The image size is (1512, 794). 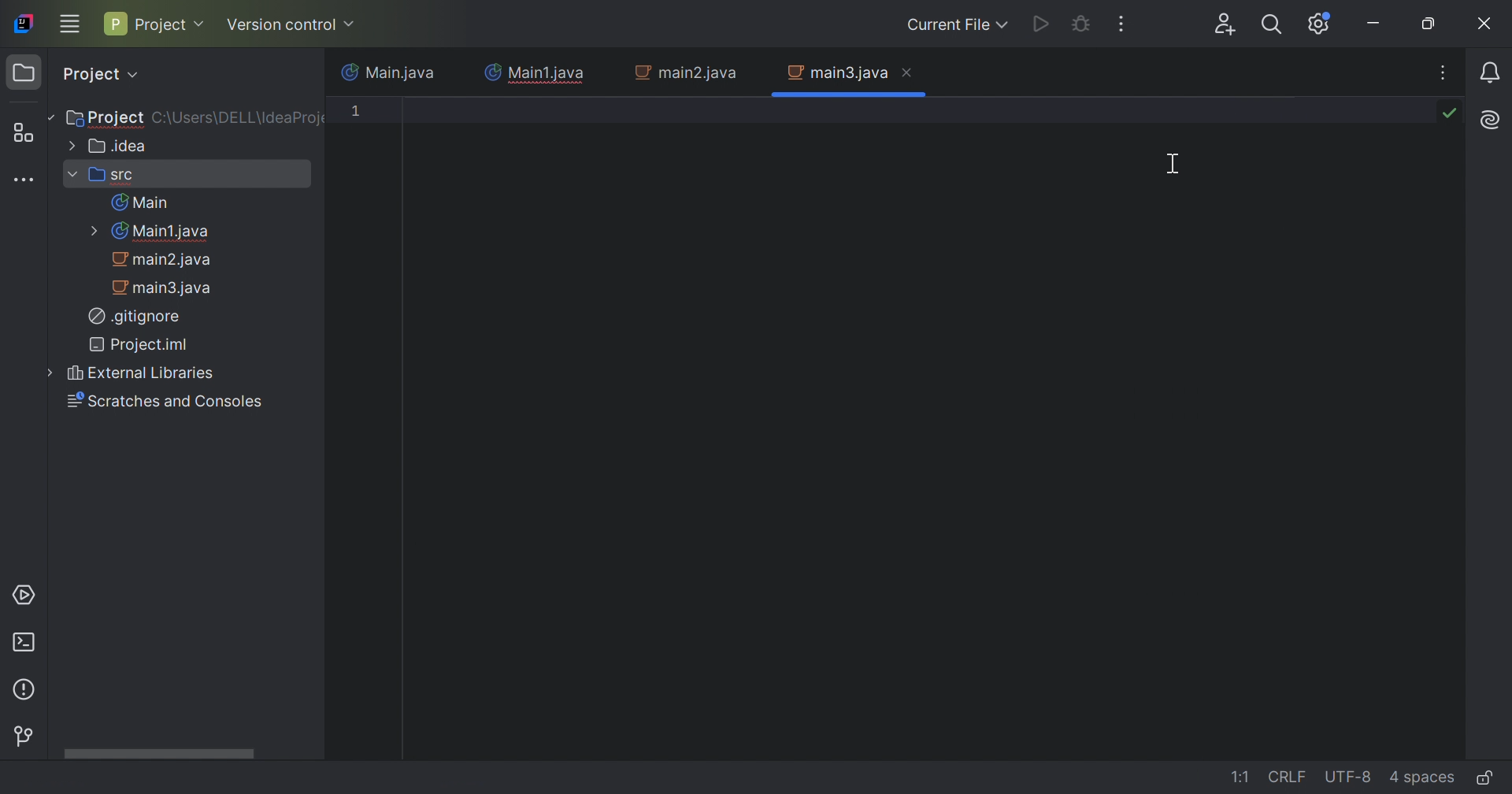 What do you see at coordinates (102, 75) in the screenshot?
I see `Project` at bounding box center [102, 75].